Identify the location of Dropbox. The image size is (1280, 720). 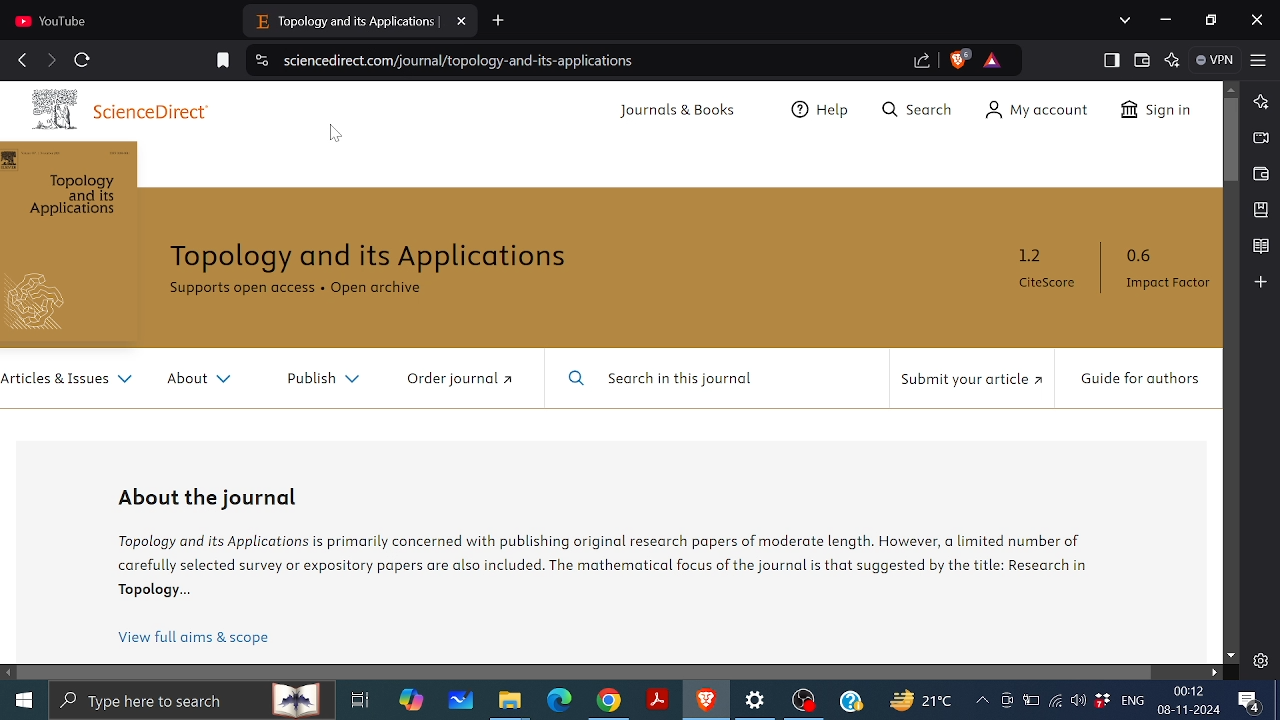
(1101, 700).